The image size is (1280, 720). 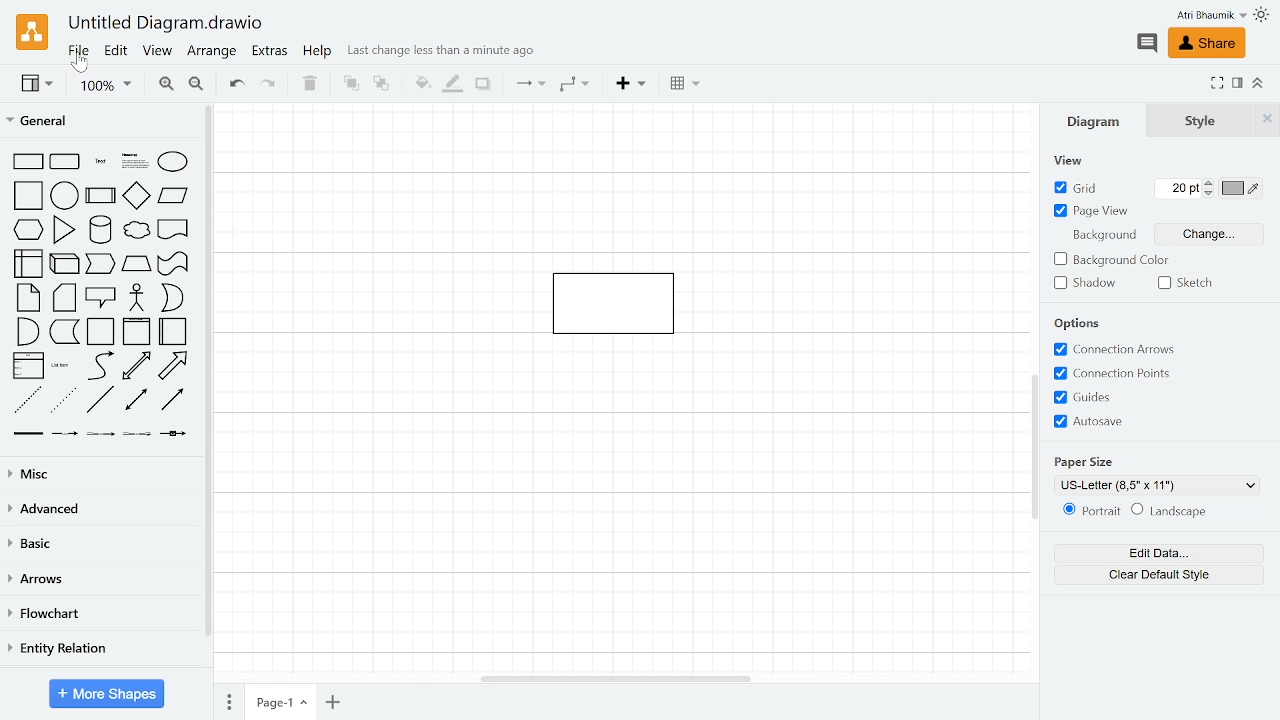 I want to click on Connection, so click(x=527, y=84).